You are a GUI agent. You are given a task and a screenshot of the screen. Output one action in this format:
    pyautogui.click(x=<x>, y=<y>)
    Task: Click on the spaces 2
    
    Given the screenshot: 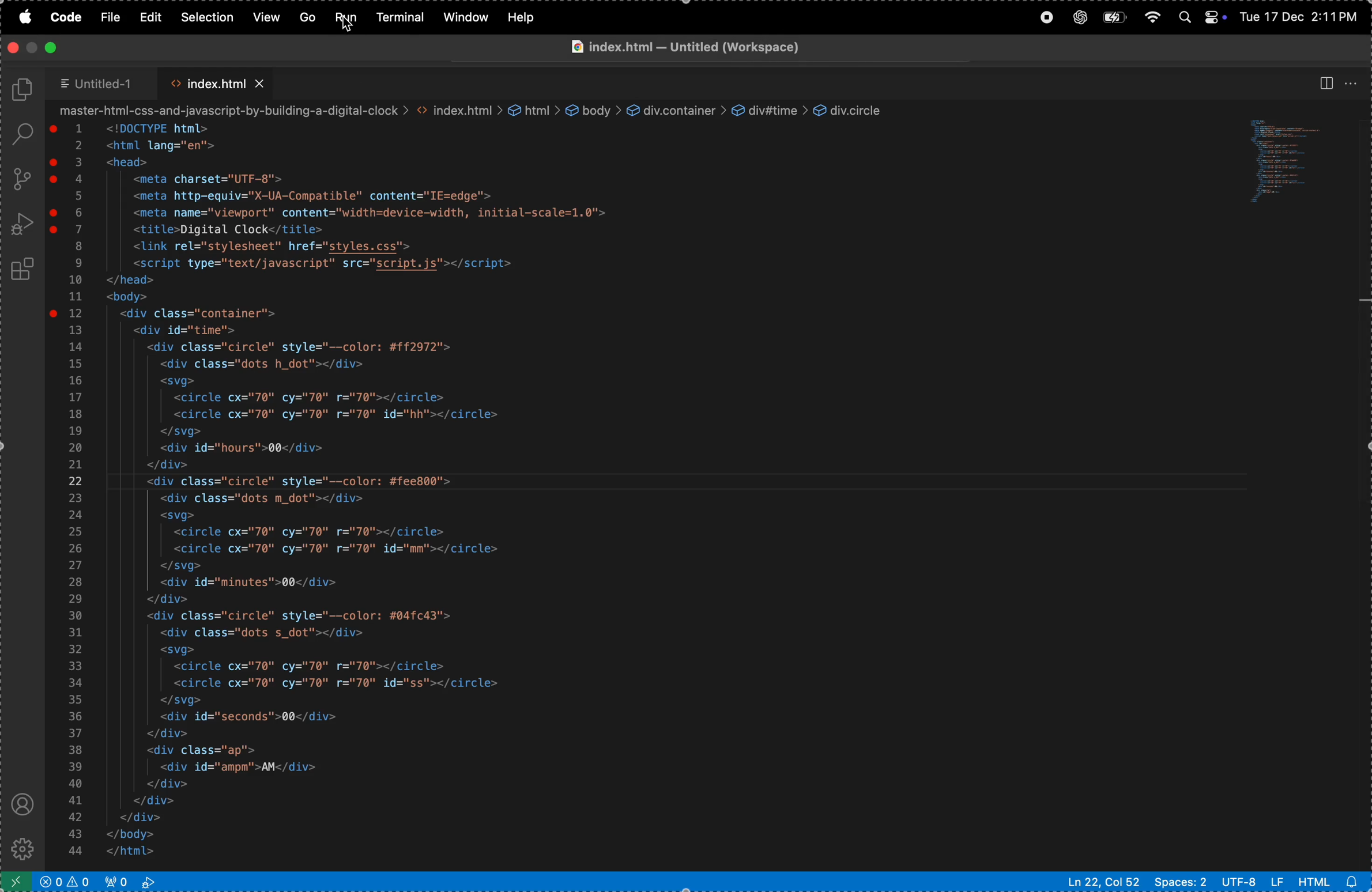 What is the action you would take?
    pyautogui.click(x=1179, y=881)
    